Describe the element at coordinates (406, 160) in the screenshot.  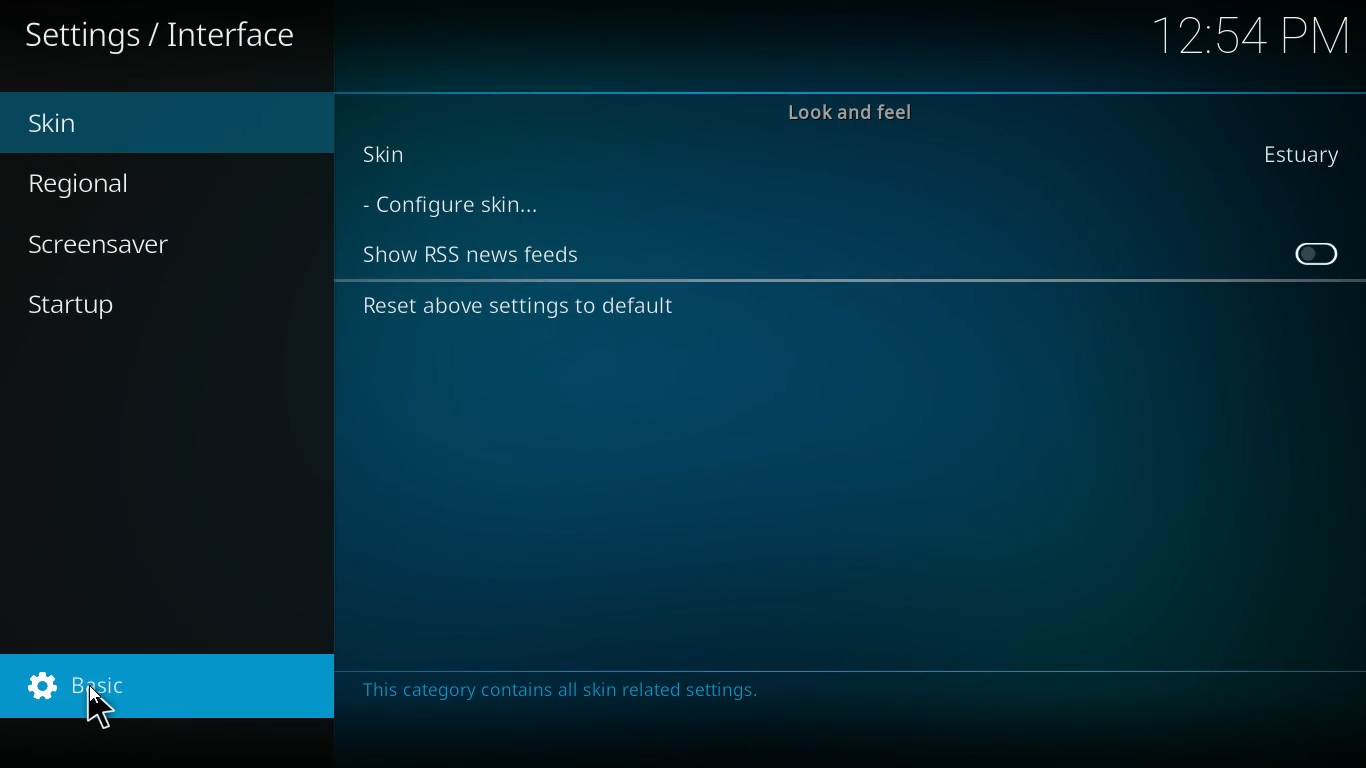
I see `skin` at that location.